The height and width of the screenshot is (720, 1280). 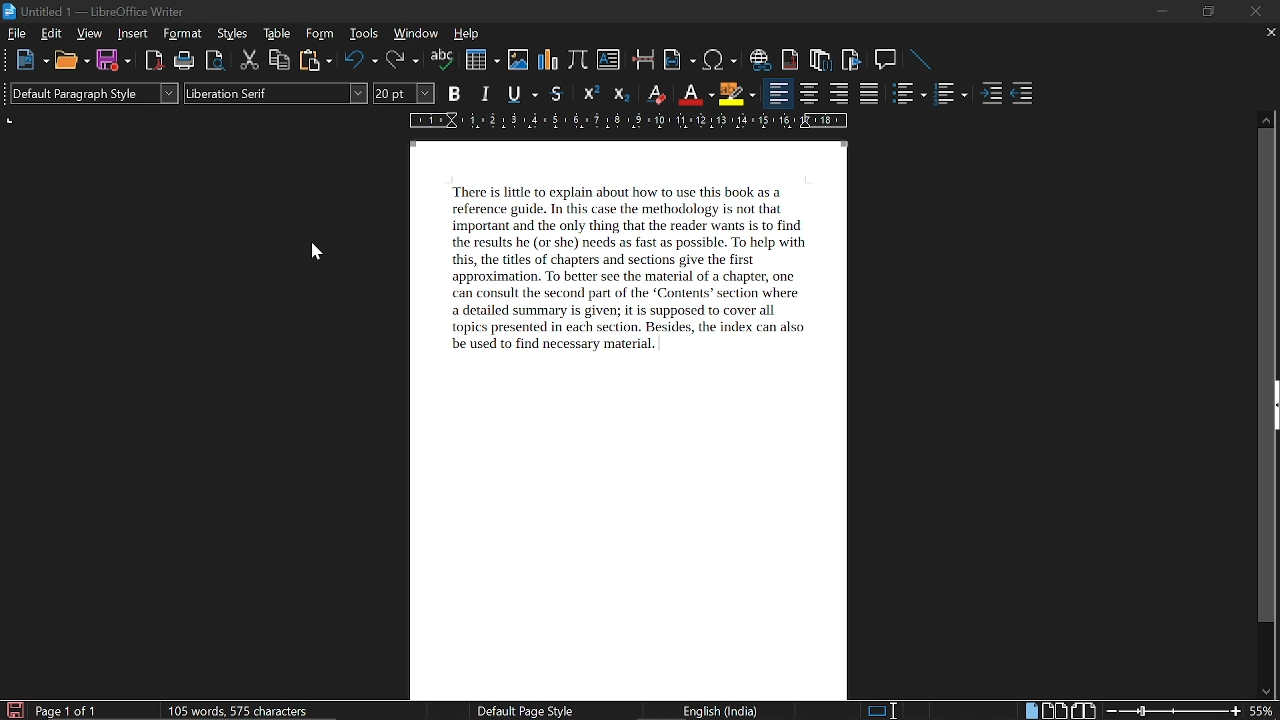 What do you see at coordinates (922, 60) in the screenshot?
I see `line` at bounding box center [922, 60].